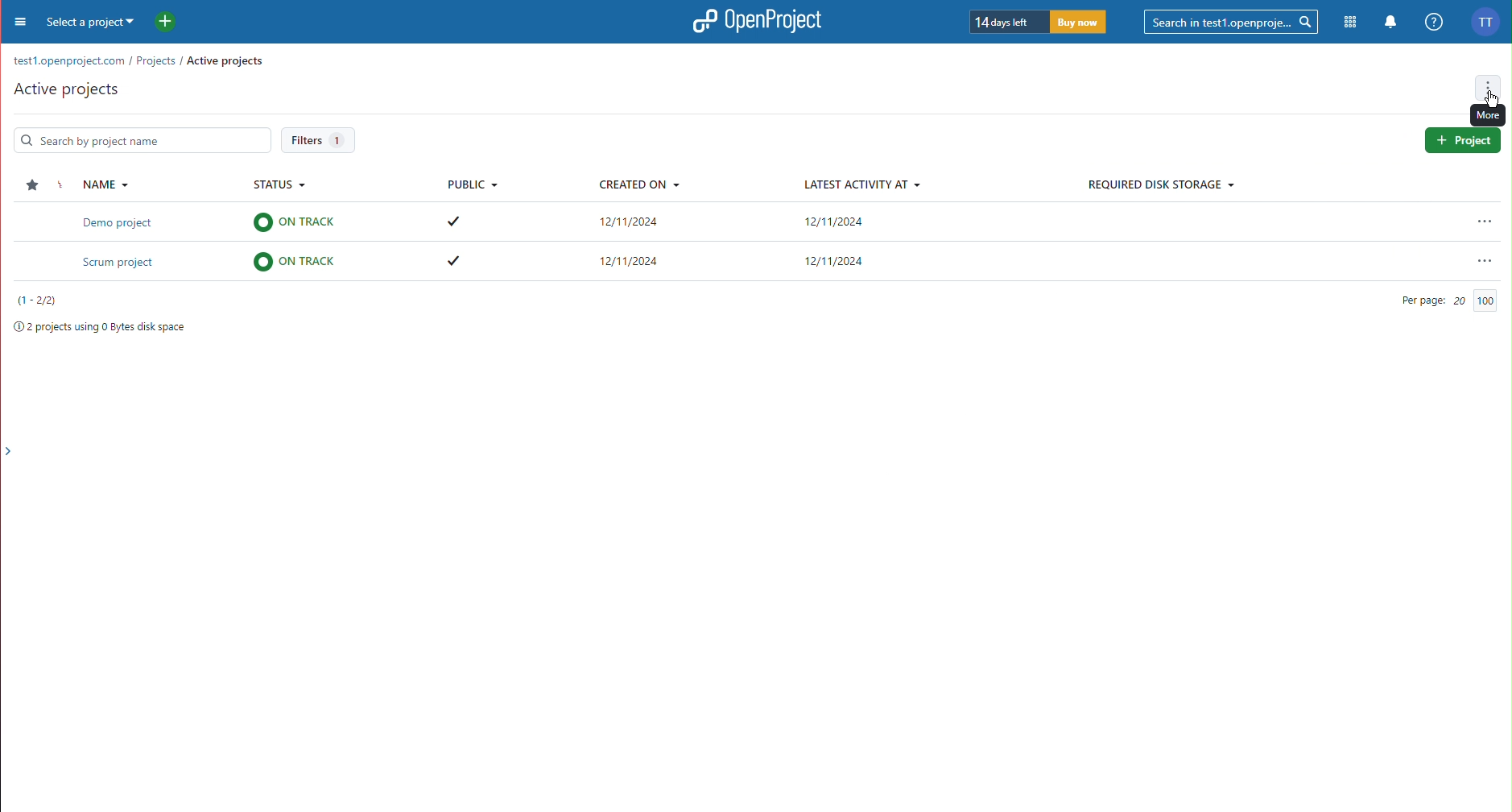  What do you see at coordinates (1448, 300) in the screenshot?
I see `Per Page` at bounding box center [1448, 300].